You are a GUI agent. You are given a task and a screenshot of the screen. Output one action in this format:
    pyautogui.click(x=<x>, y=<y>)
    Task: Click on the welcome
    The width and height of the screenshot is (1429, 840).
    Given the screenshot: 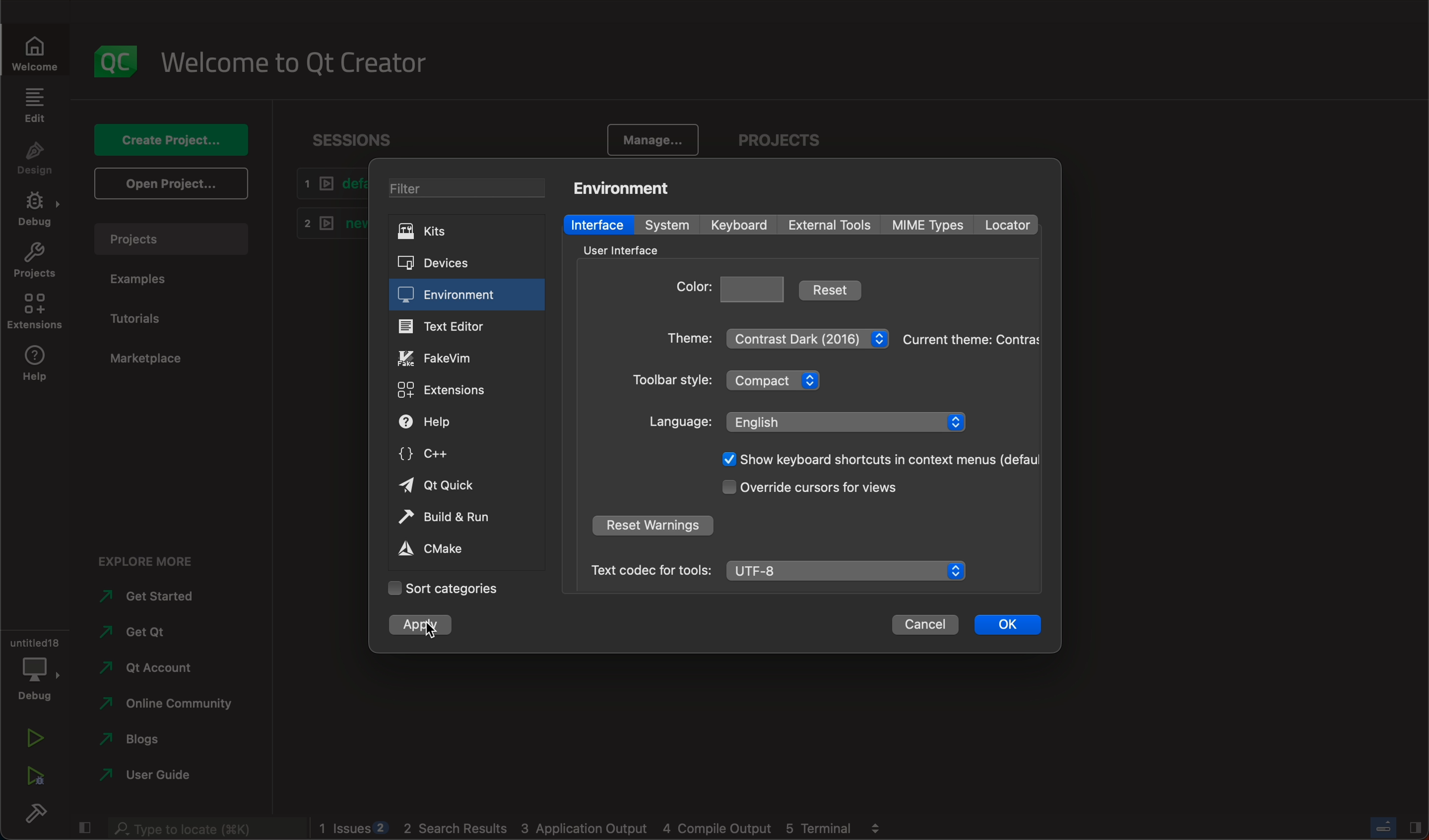 What is the action you would take?
    pyautogui.click(x=33, y=50)
    